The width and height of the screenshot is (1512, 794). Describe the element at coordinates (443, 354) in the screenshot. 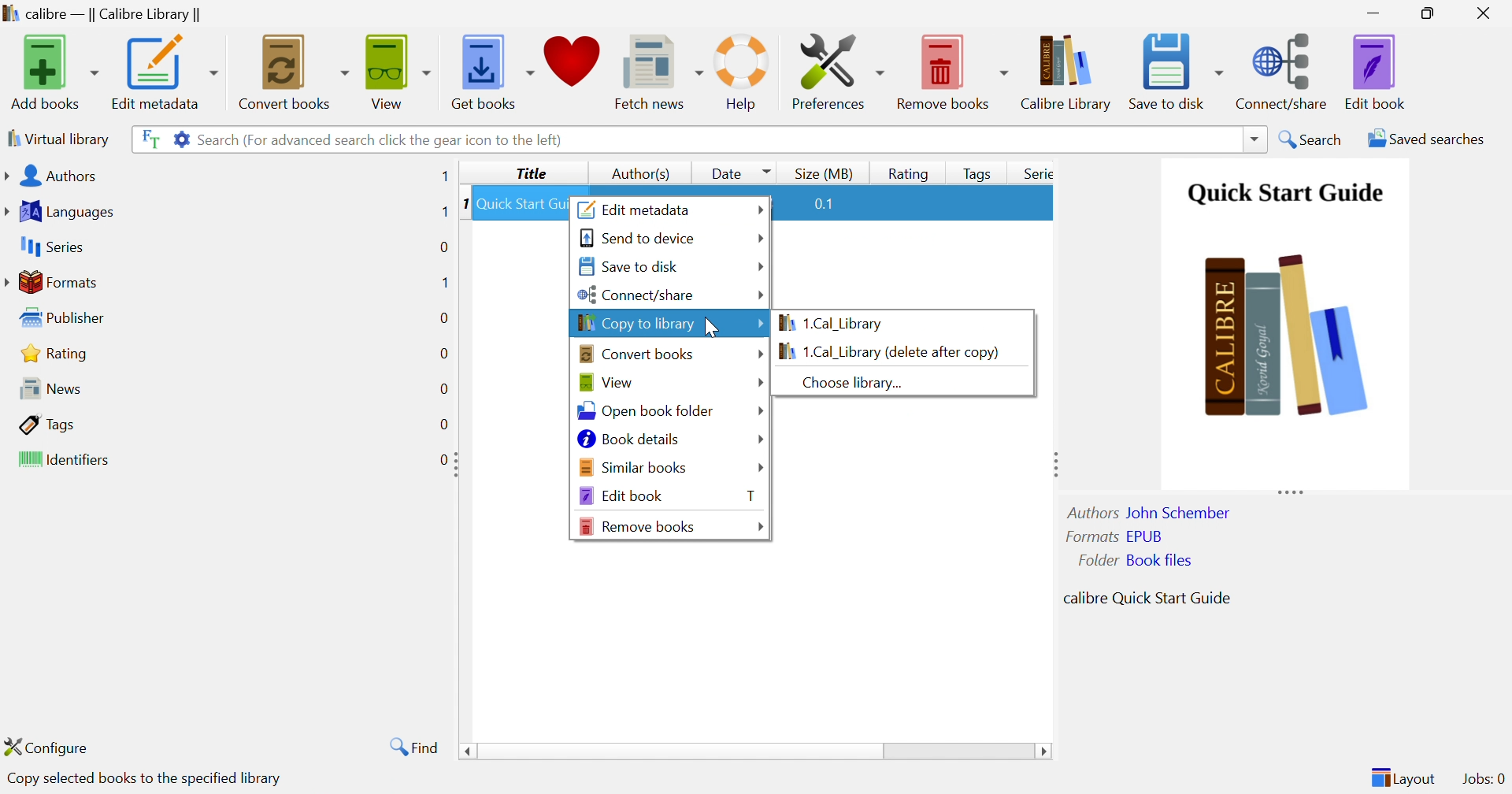

I see `0` at that location.